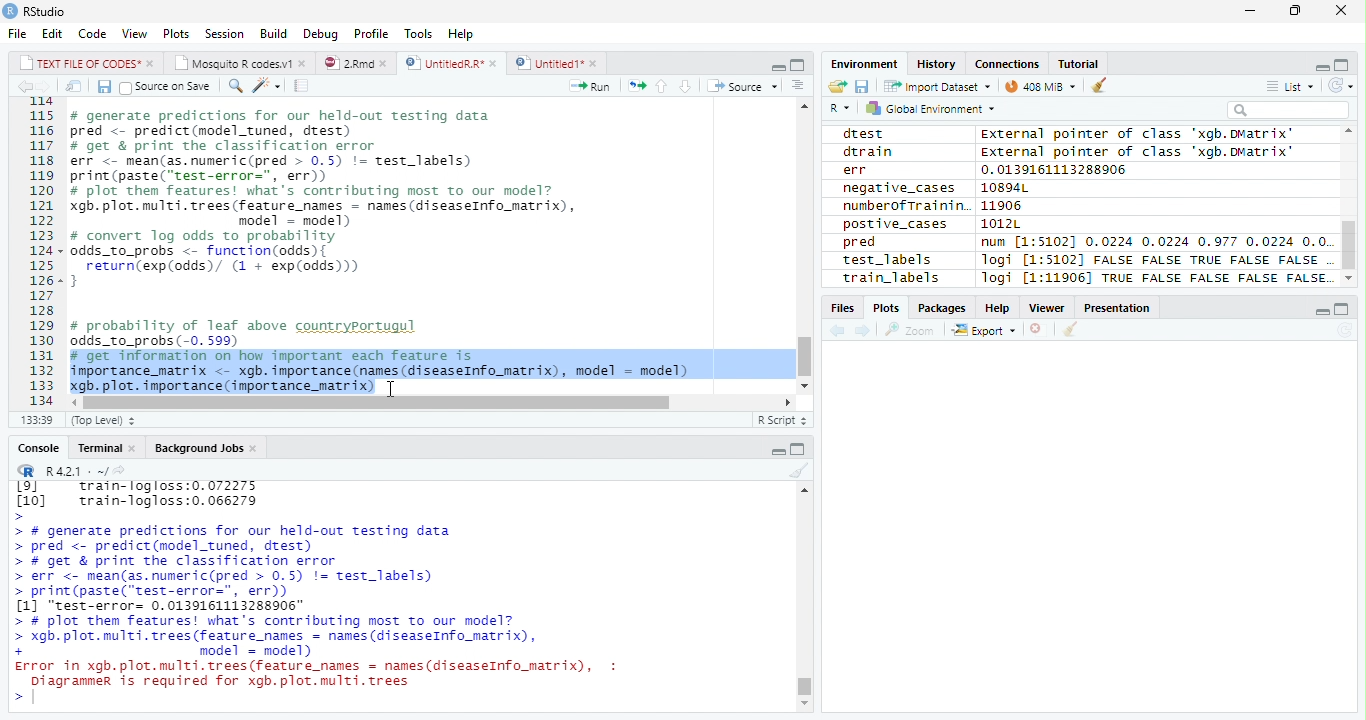 This screenshot has width=1366, height=720. What do you see at coordinates (862, 133) in the screenshot?
I see `dtest` at bounding box center [862, 133].